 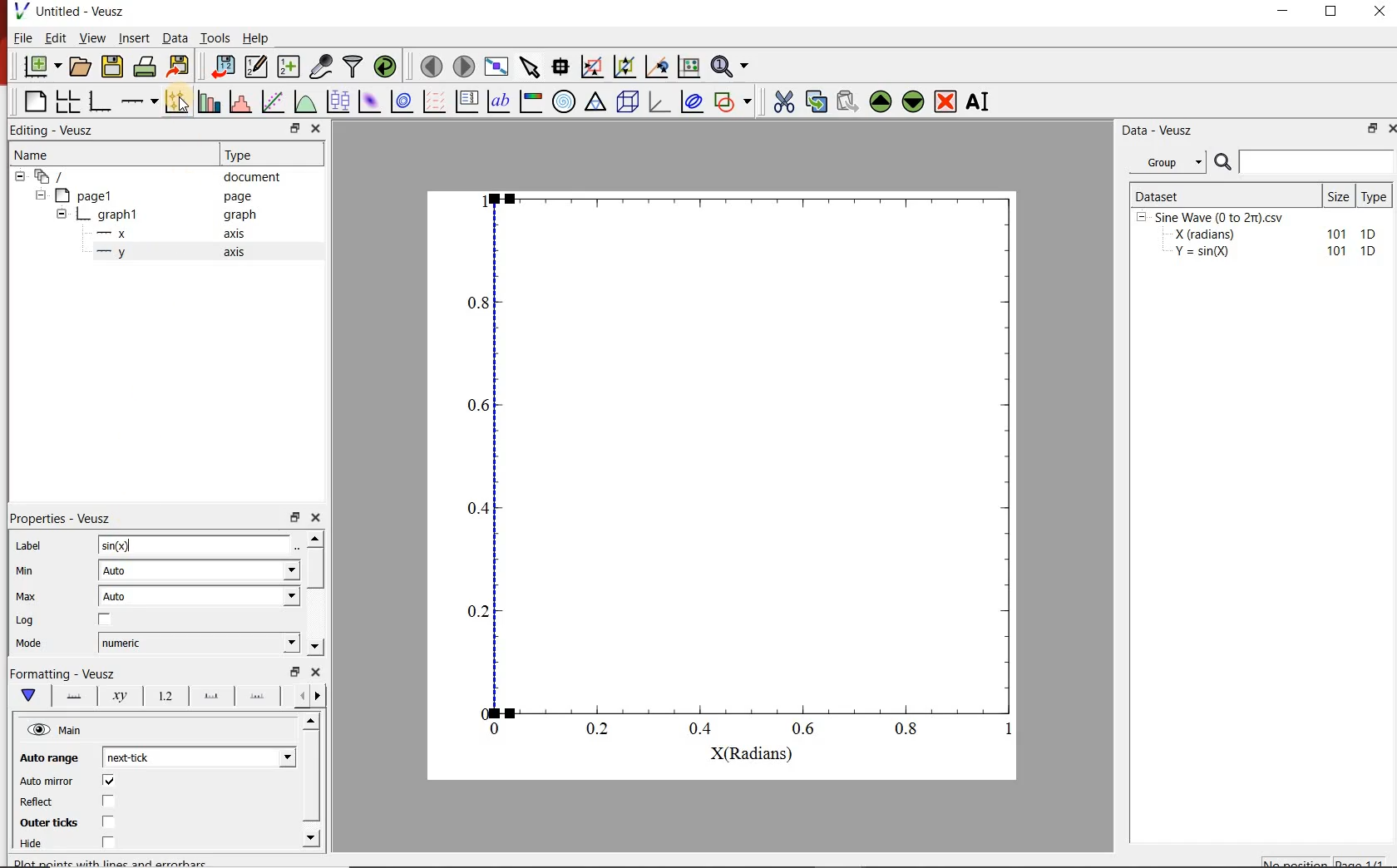 I want to click on Maximize, so click(x=1332, y=12).